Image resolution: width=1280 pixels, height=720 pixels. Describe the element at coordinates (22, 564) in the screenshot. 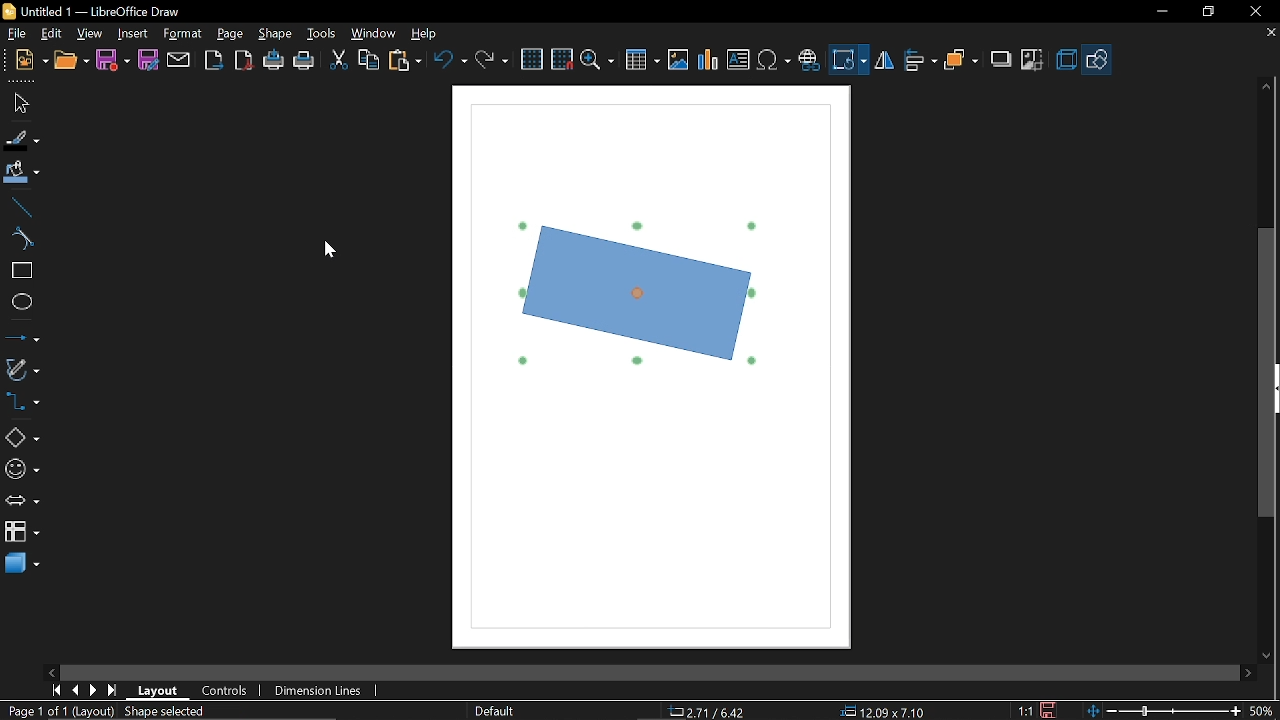

I see `3d shapes` at that location.